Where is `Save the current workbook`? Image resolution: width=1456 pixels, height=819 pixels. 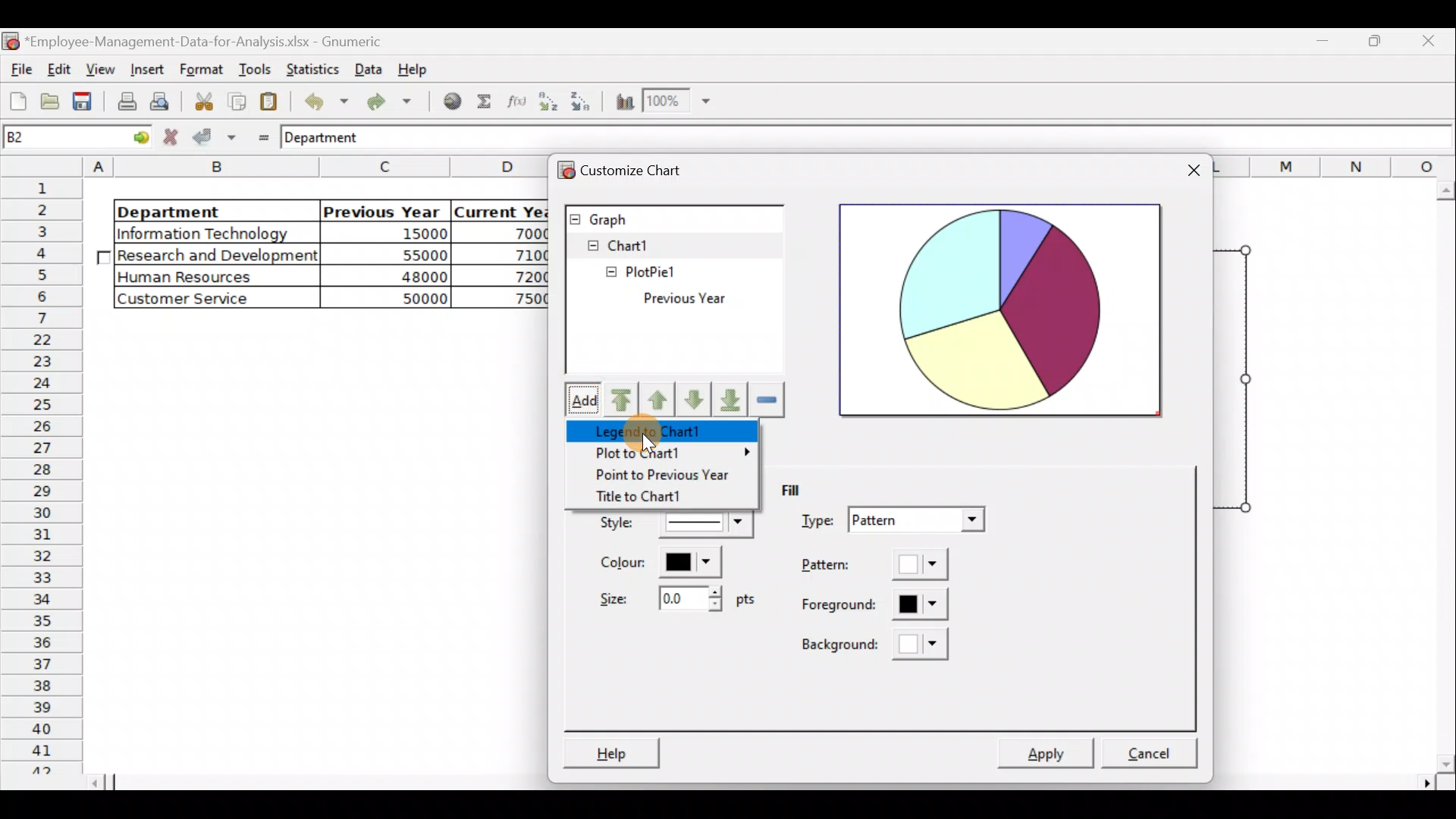 Save the current workbook is located at coordinates (83, 102).